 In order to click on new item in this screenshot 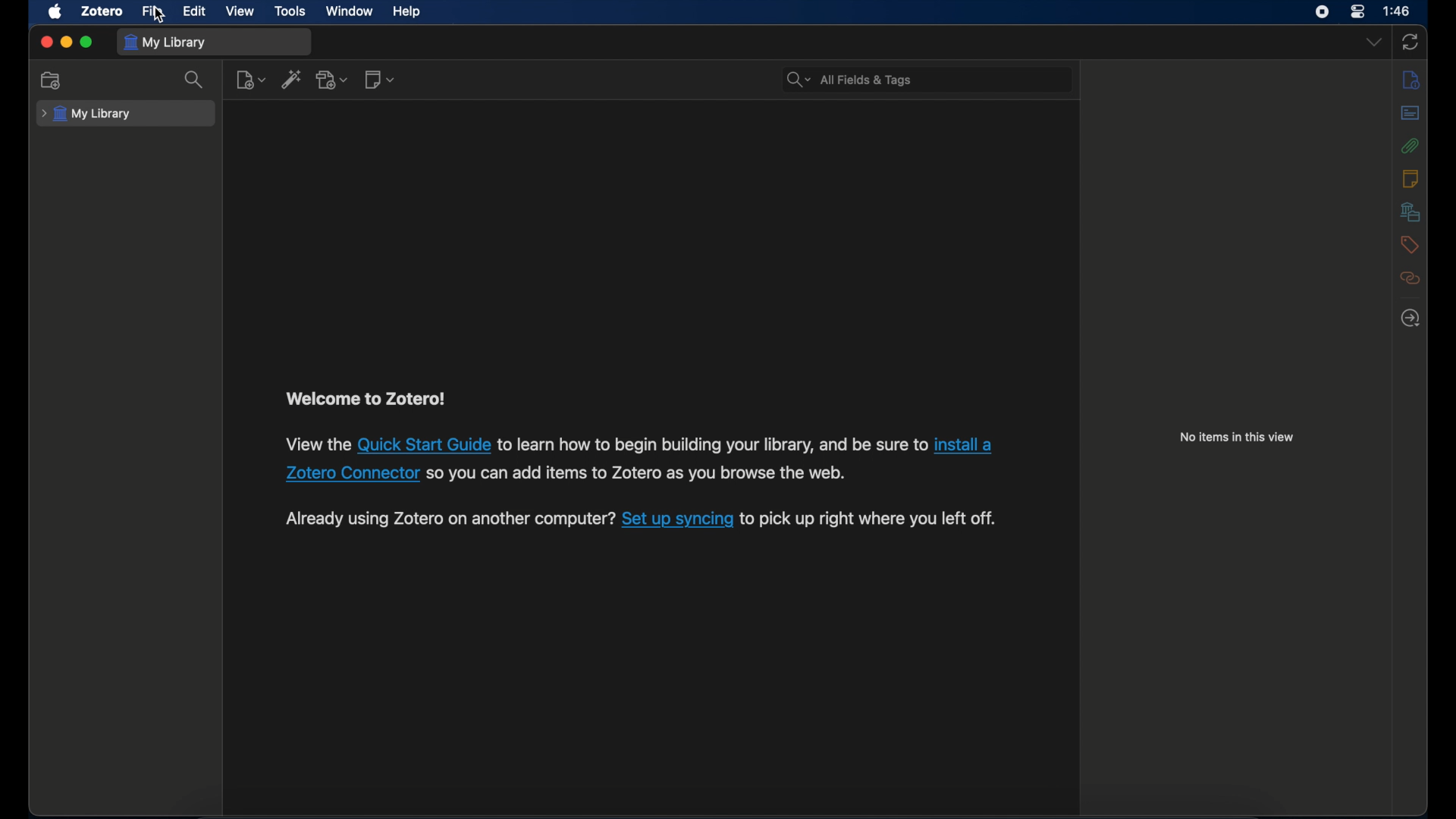, I will do `click(251, 80)`.